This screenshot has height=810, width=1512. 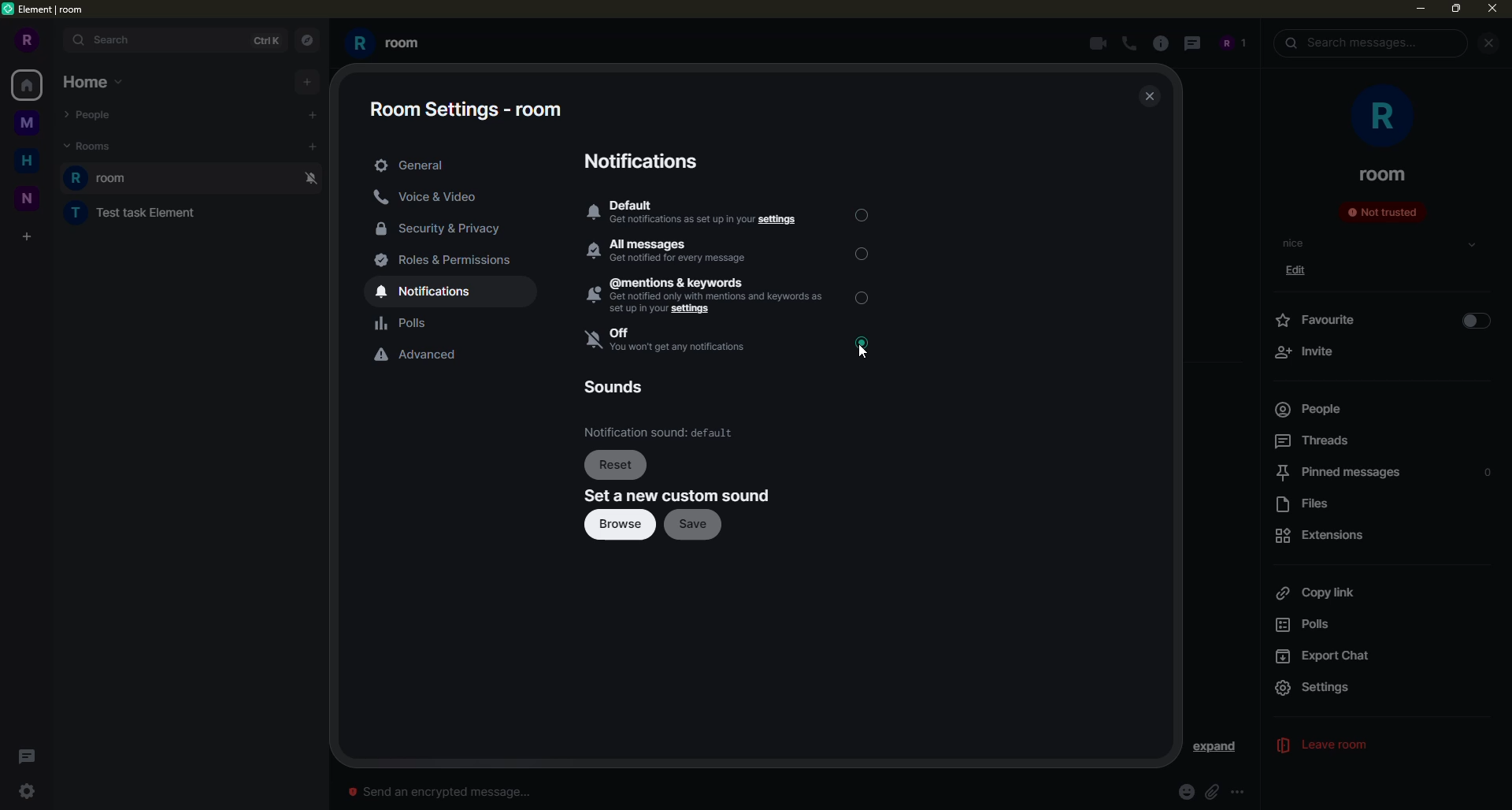 What do you see at coordinates (436, 792) in the screenshot?
I see `send an encrypted message` at bounding box center [436, 792].